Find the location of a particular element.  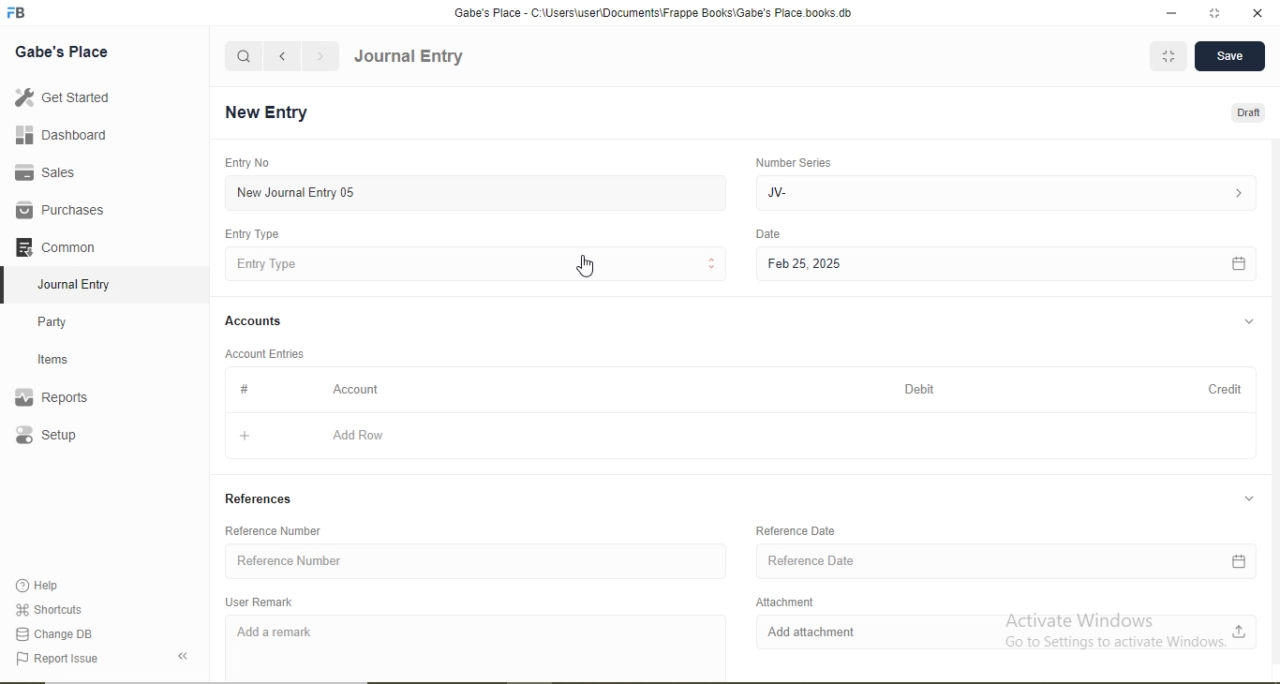

collapse/expand is located at coordinates (1249, 501).